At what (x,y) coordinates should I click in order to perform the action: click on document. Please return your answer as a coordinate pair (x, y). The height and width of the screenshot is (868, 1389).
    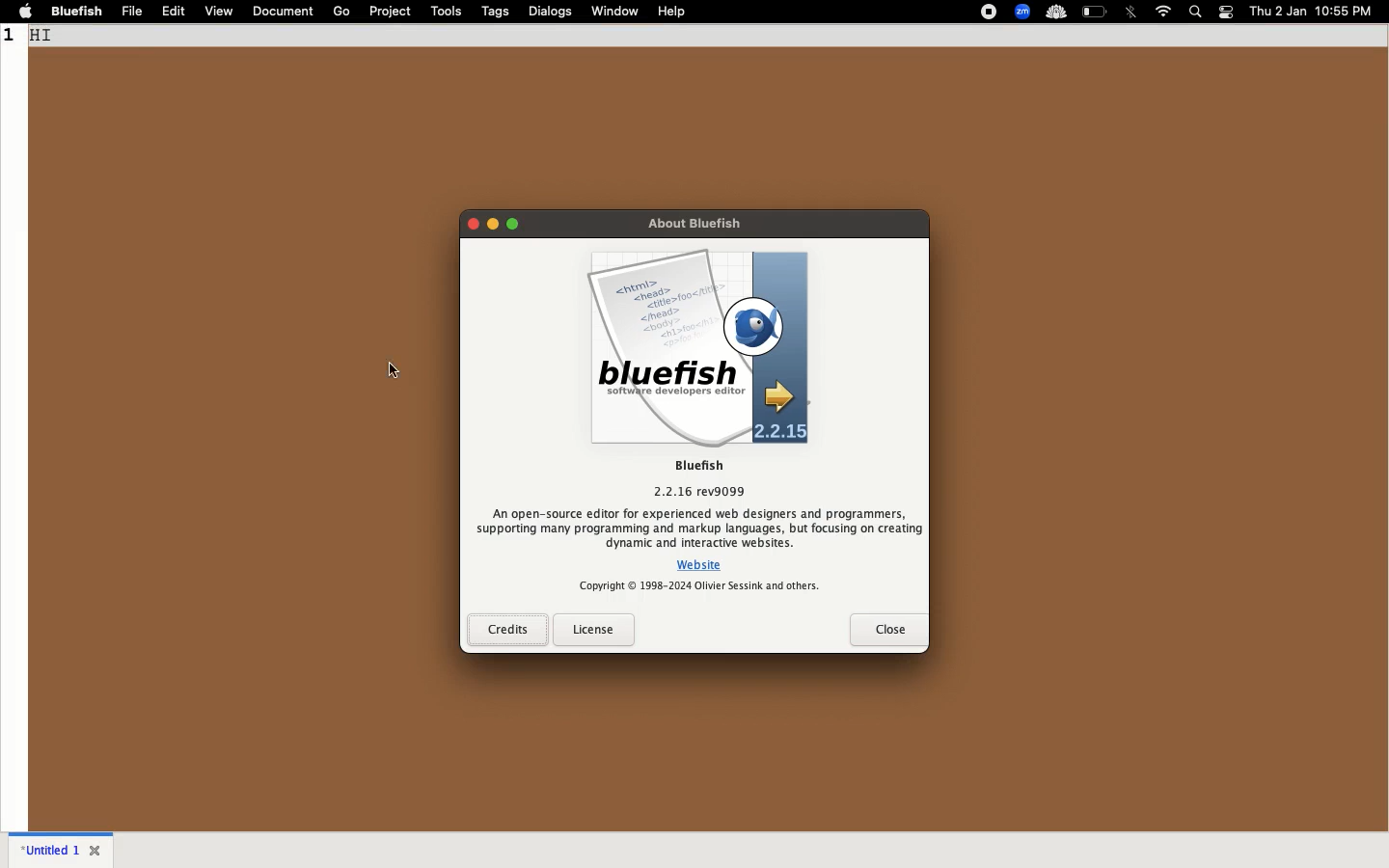
    Looking at the image, I should click on (282, 10).